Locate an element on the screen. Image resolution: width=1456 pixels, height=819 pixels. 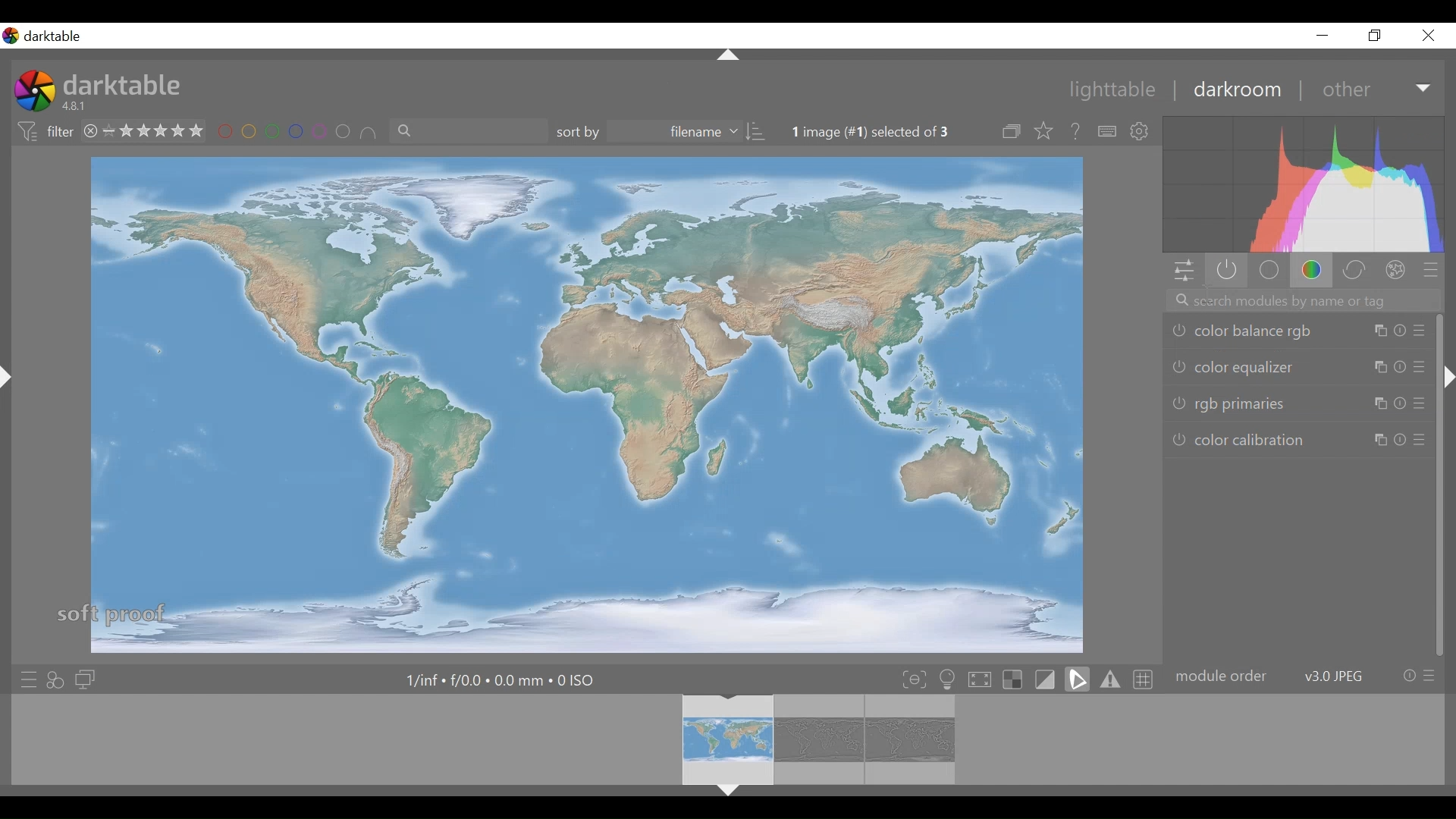
toggle IS 12646 color assessments conditions is located at coordinates (948, 680).